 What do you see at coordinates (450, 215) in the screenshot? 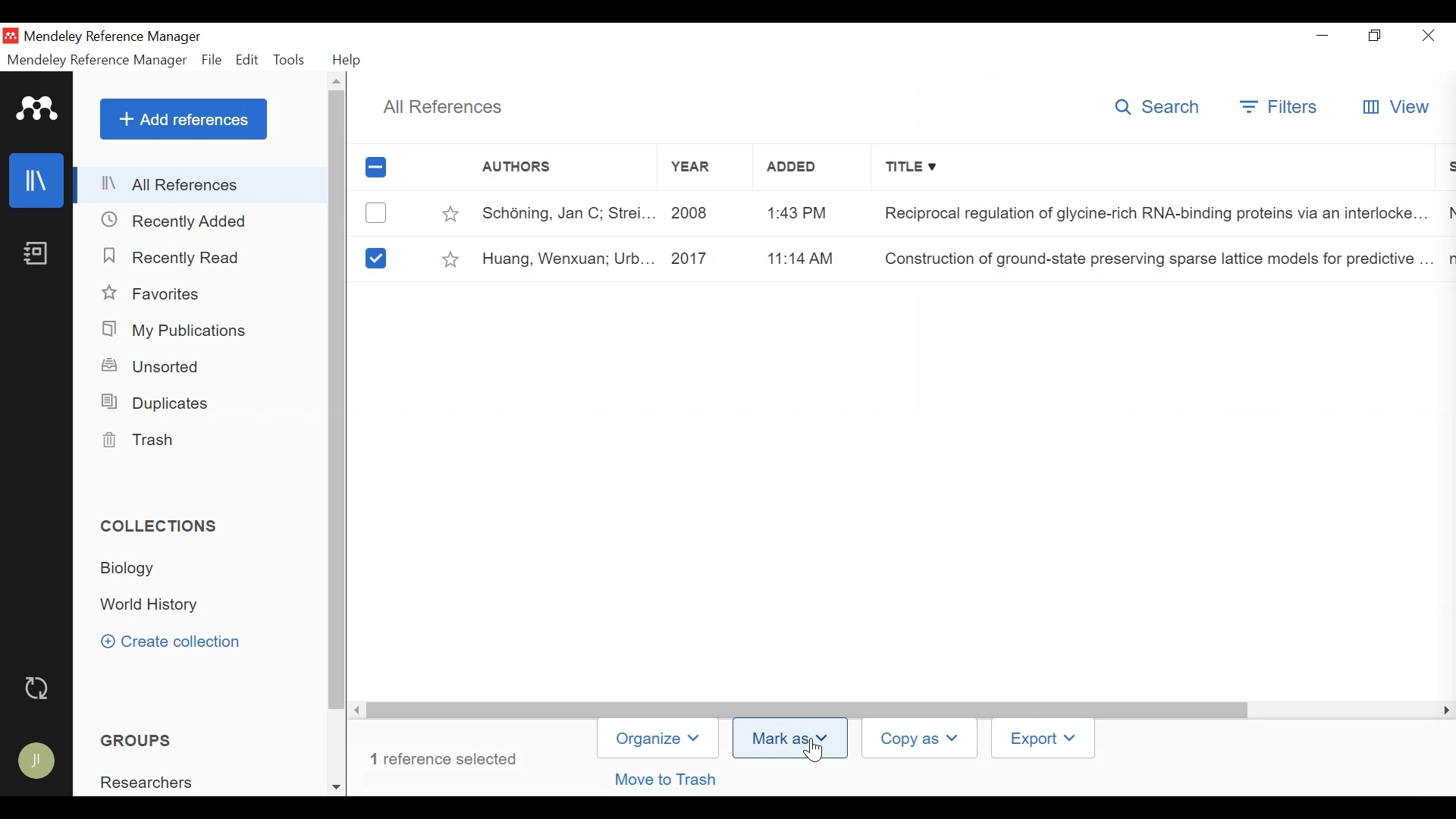
I see `Toggle Favorites` at bounding box center [450, 215].